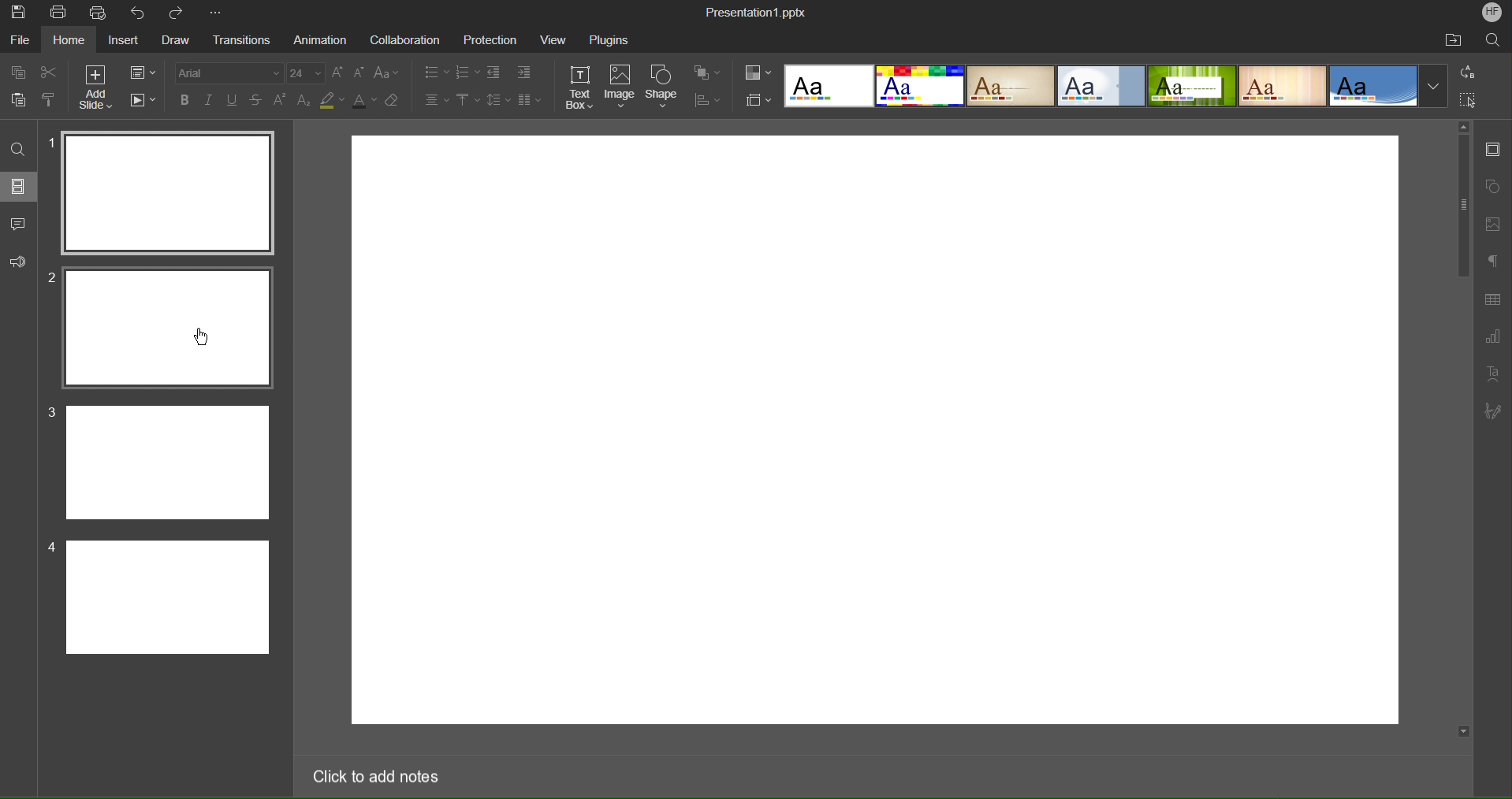 The width and height of the screenshot is (1512, 799). Describe the element at coordinates (1455, 39) in the screenshot. I see `Open File Location` at that location.